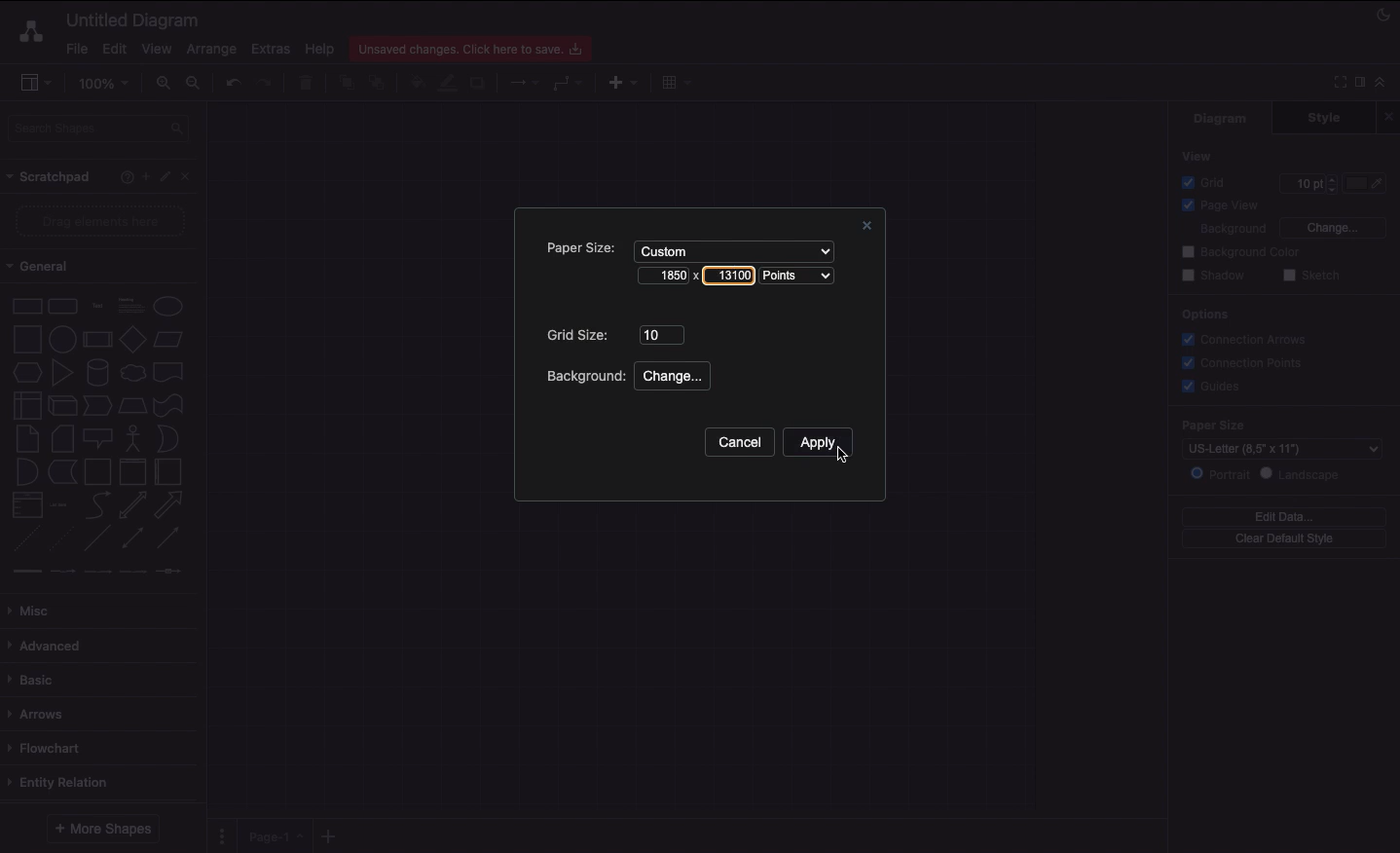  What do you see at coordinates (26, 404) in the screenshot?
I see `Internal storage` at bounding box center [26, 404].